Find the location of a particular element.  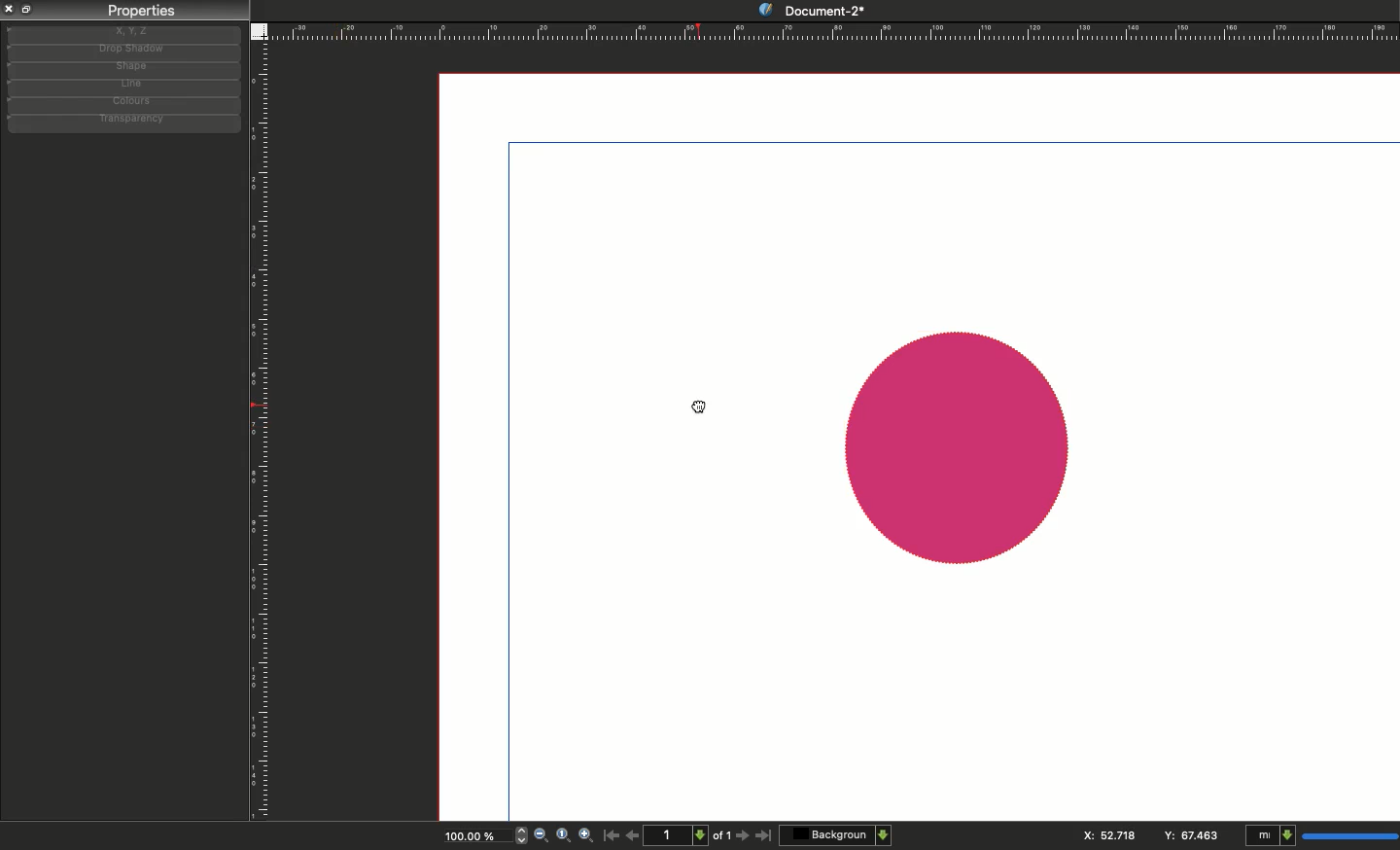

Zoom to is located at coordinates (563, 834).